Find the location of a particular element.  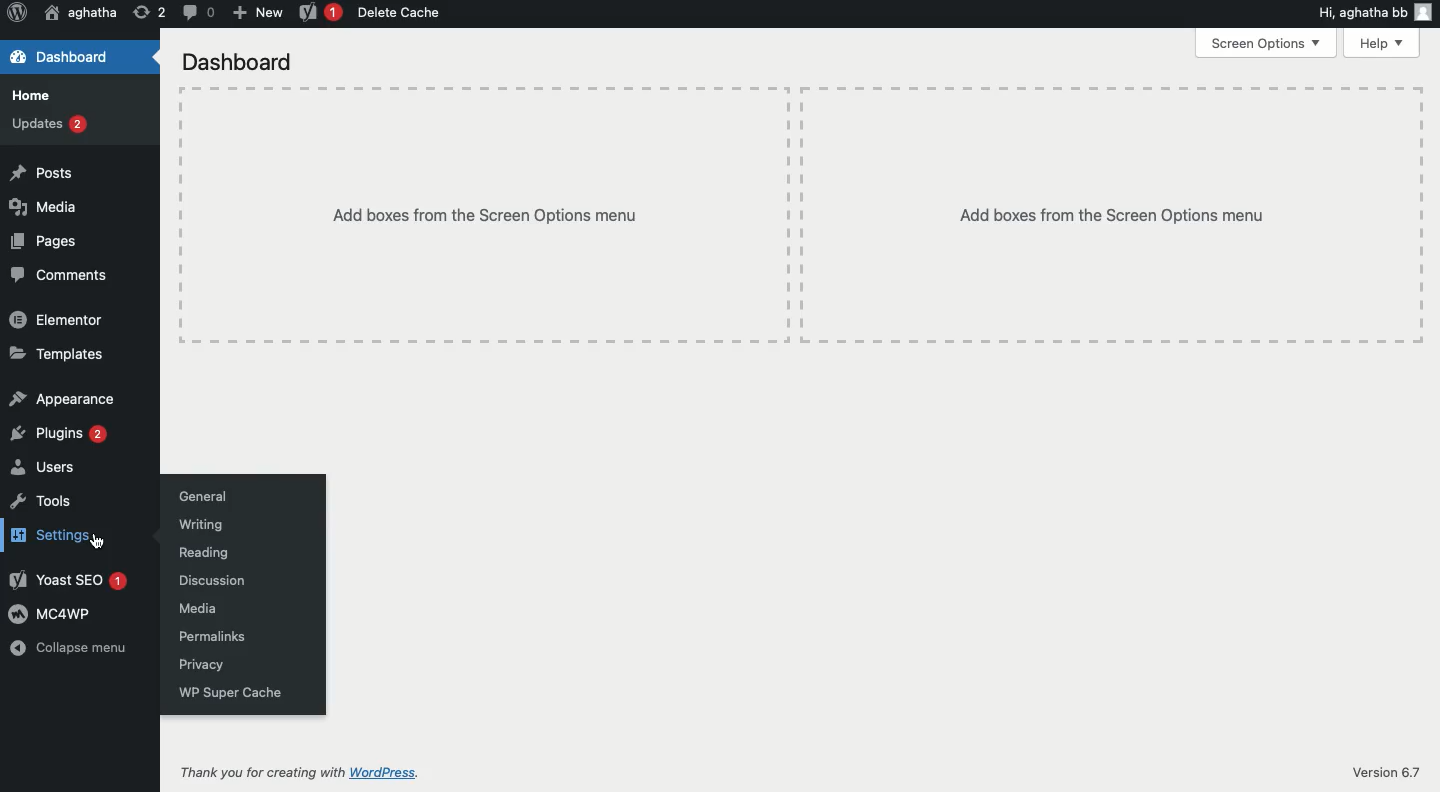

Plugins is located at coordinates (56, 434).